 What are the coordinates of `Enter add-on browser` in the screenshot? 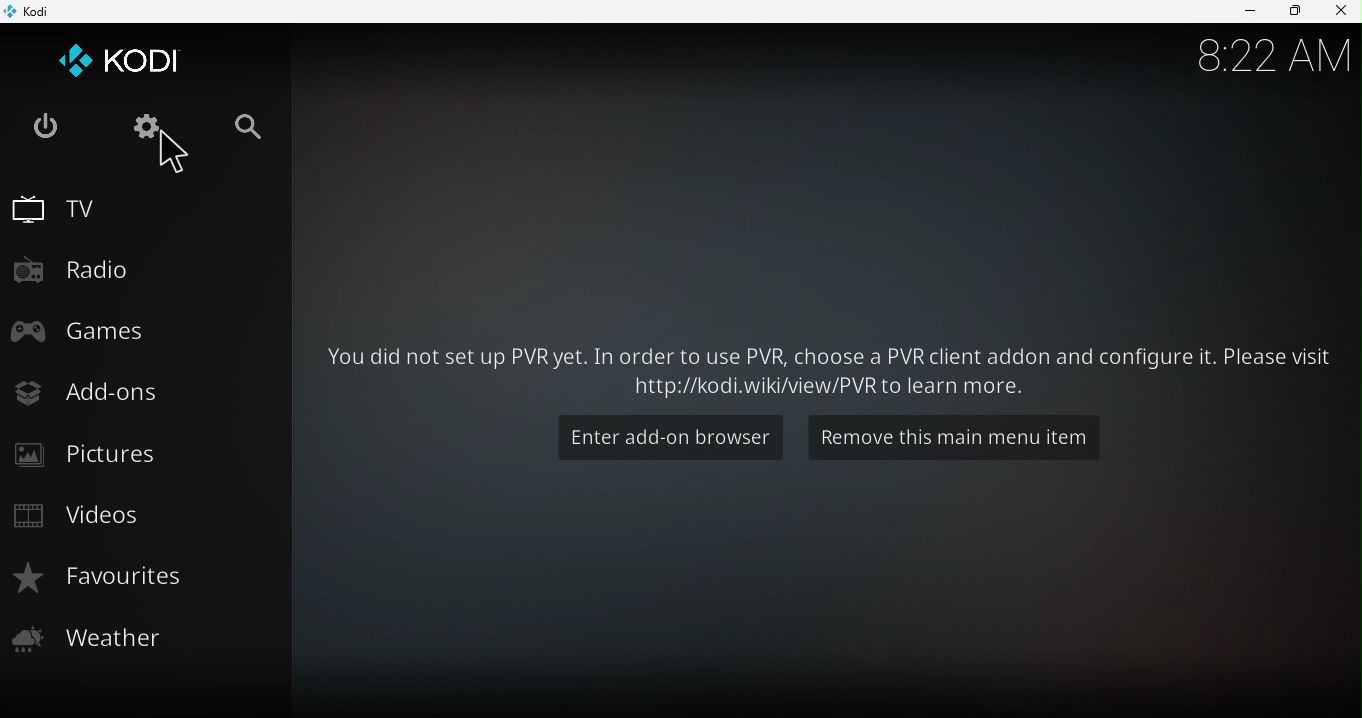 It's located at (669, 437).